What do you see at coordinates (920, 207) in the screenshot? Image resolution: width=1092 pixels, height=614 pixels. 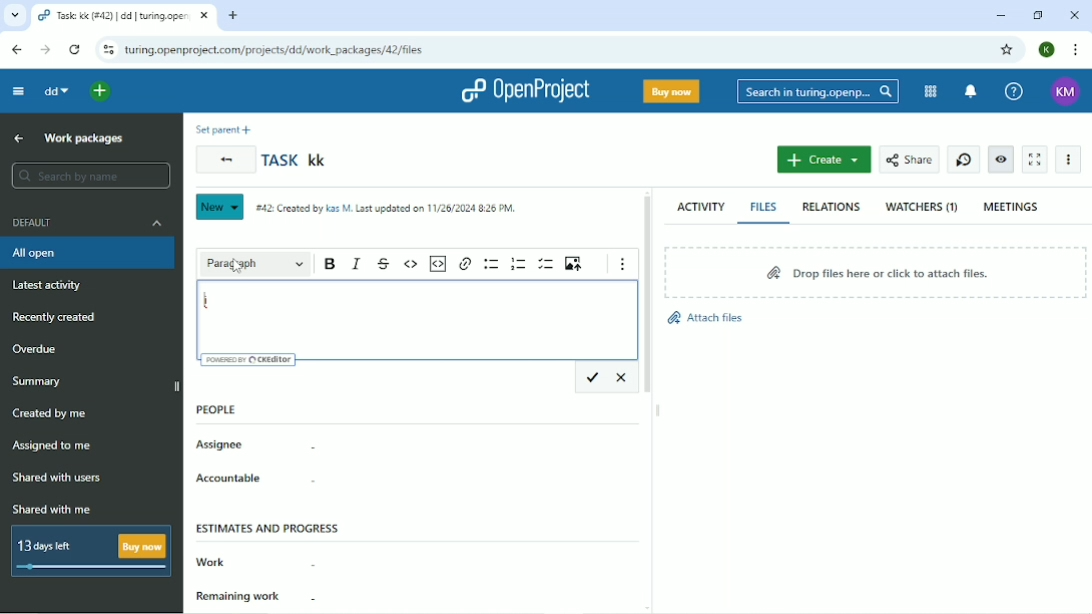 I see `Watchers (1)` at bounding box center [920, 207].